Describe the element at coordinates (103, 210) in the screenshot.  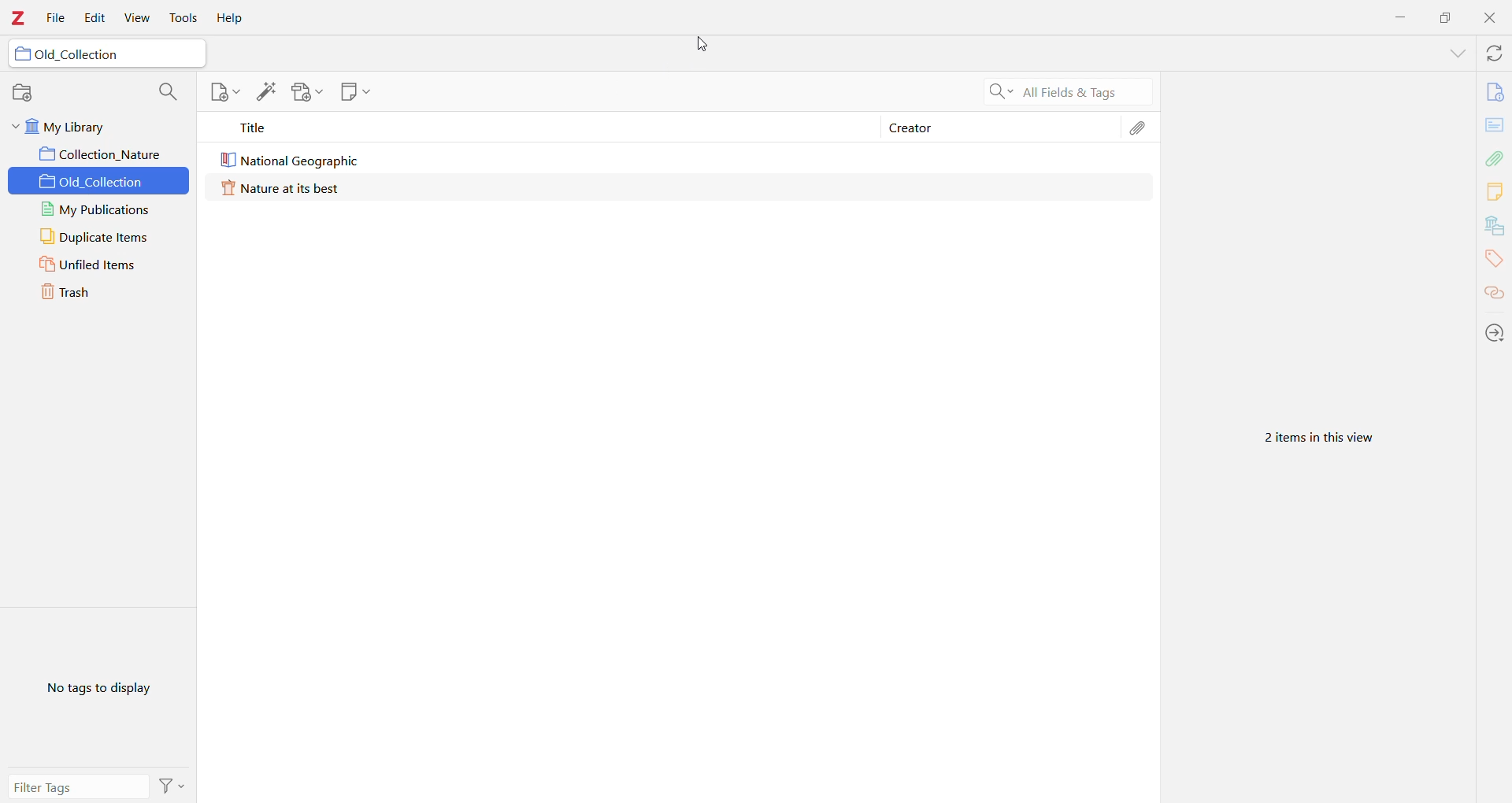
I see `My Publications` at that location.